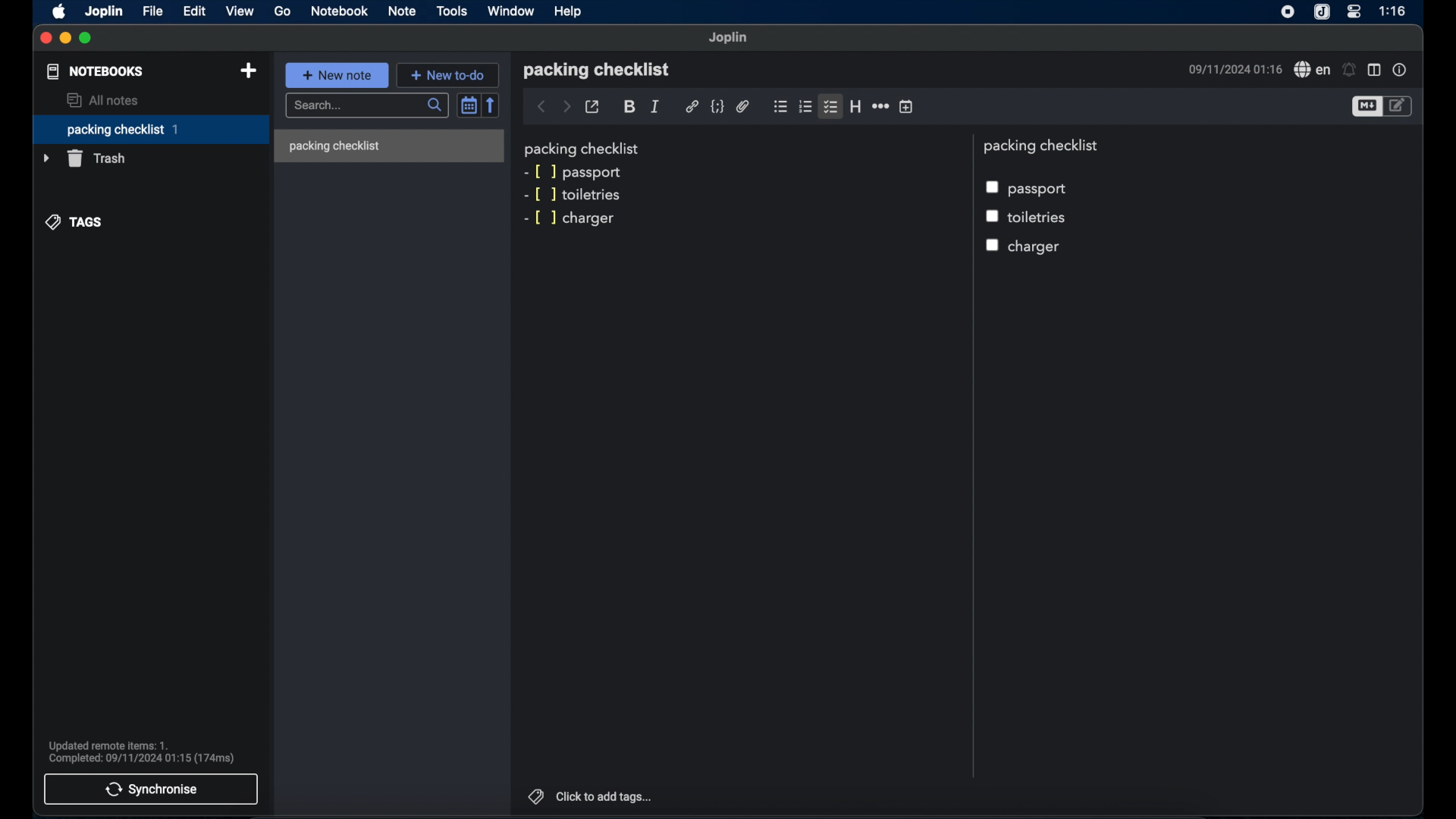 The width and height of the screenshot is (1456, 819). Describe the element at coordinates (541, 195) in the screenshot. I see `markdown syntax` at that location.